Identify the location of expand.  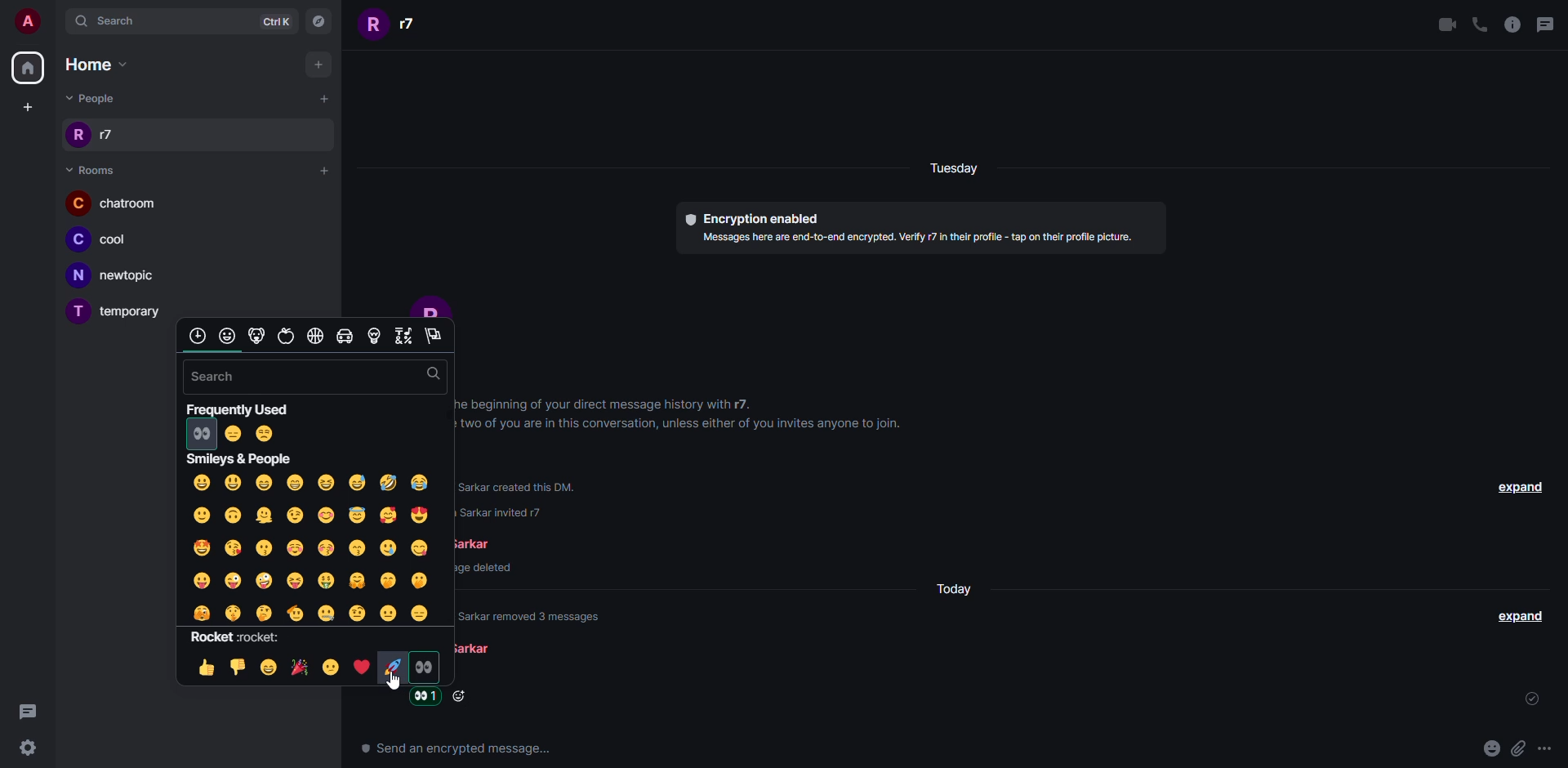
(1515, 485).